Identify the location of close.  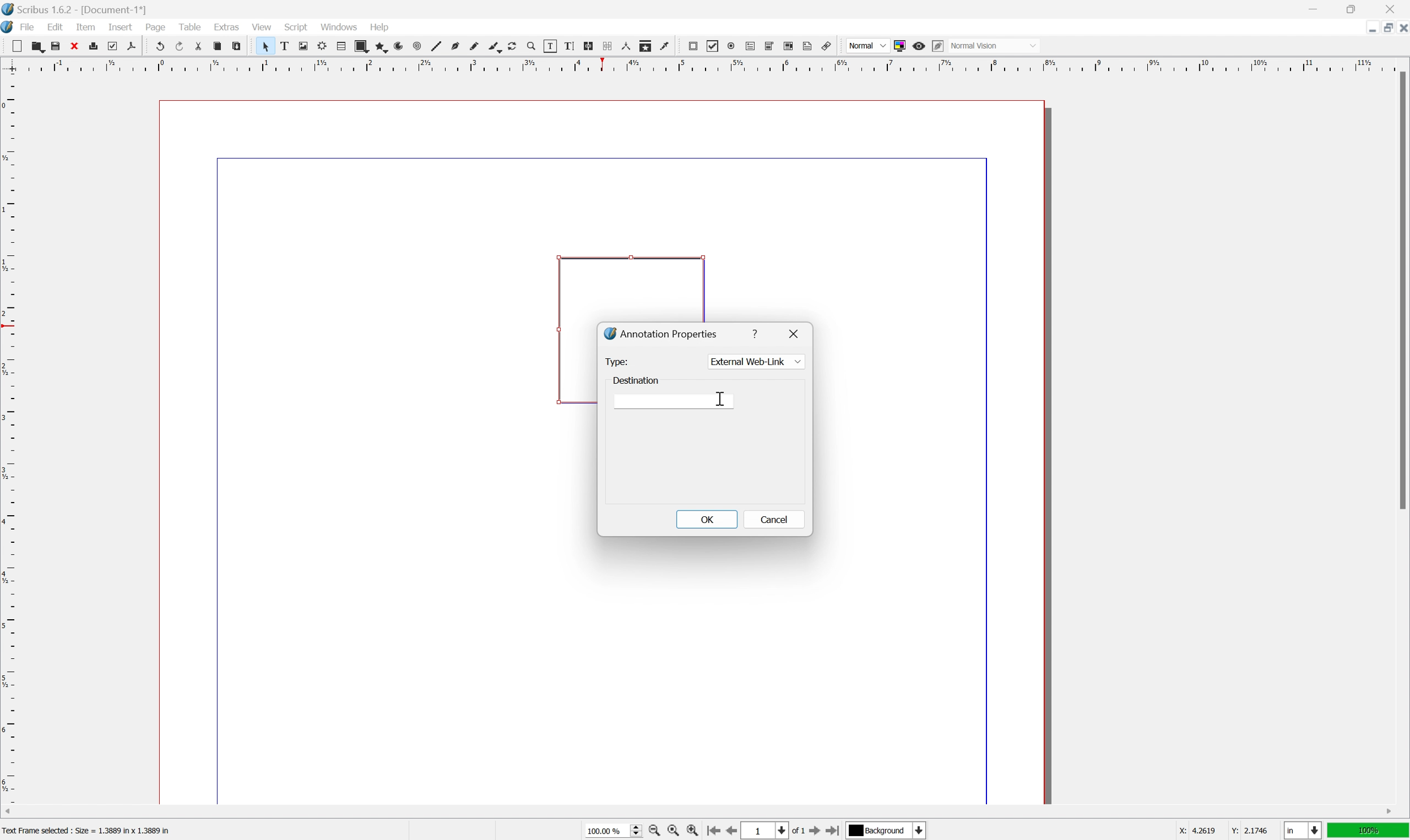
(796, 332).